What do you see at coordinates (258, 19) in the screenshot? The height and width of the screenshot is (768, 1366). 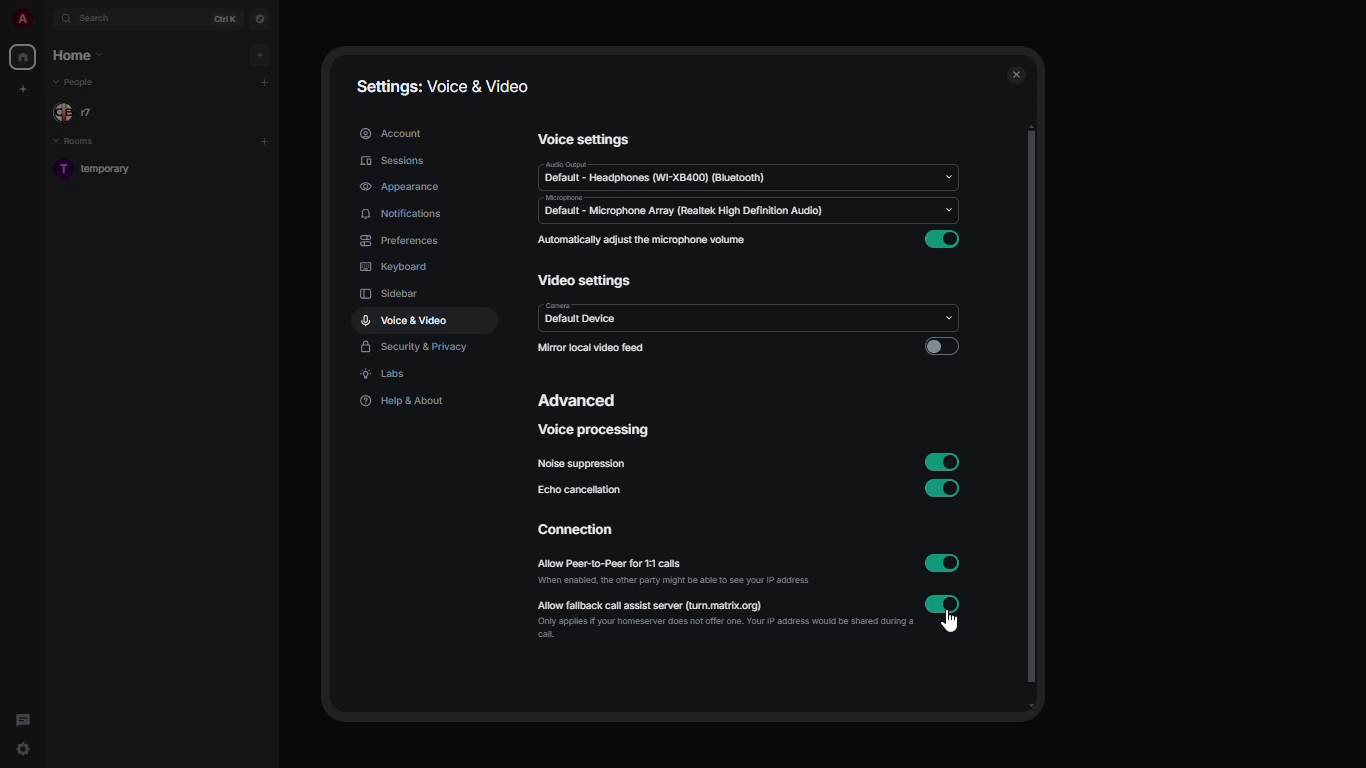 I see `navigator` at bounding box center [258, 19].